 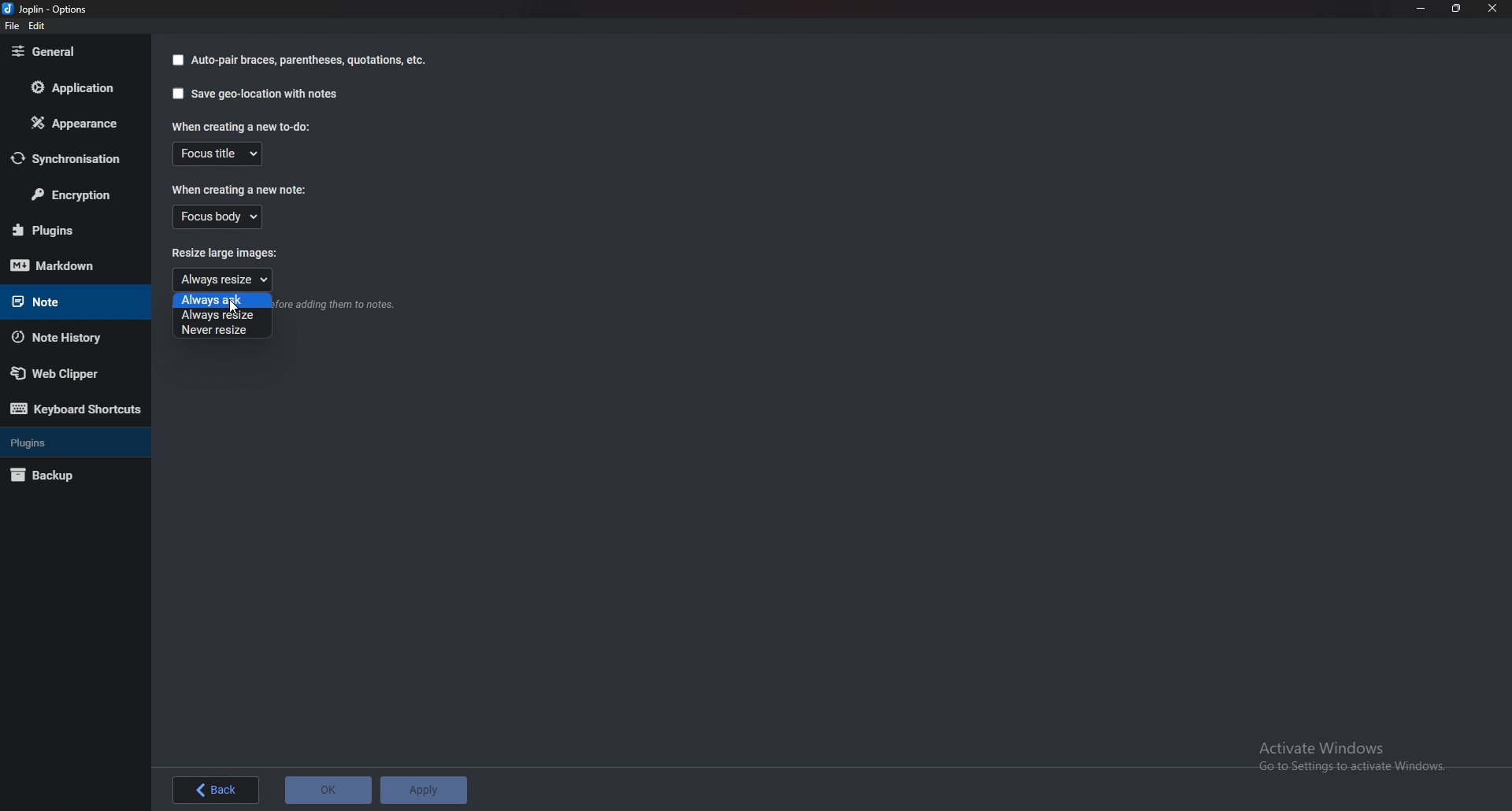 What do you see at coordinates (177, 94) in the screenshot?
I see `checkbox` at bounding box center [177, 94].